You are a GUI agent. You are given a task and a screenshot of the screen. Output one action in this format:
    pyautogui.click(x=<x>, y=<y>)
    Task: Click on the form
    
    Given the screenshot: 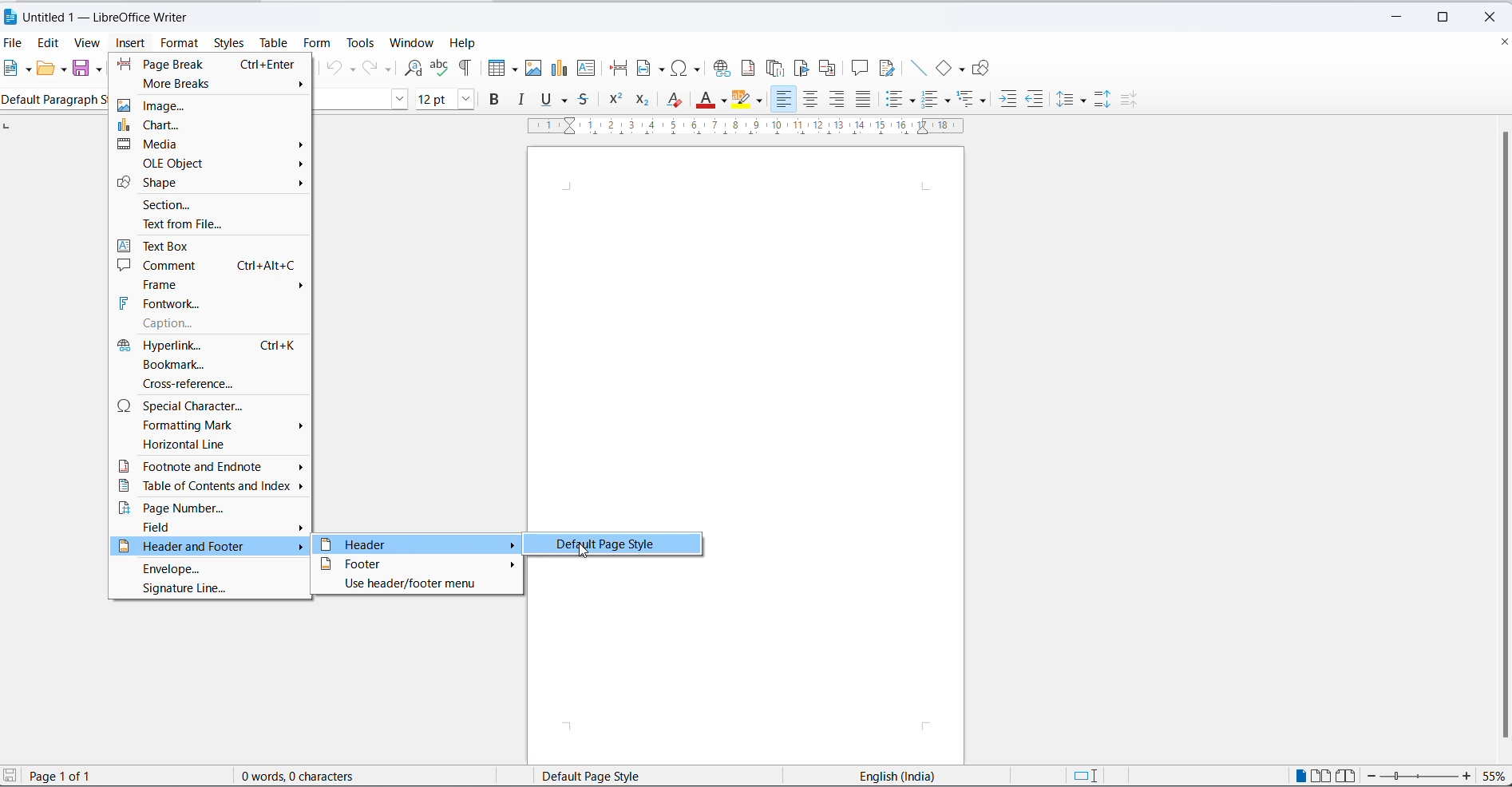 What is the action you would take?
    pyautogui.click(x=319, y=43)
    